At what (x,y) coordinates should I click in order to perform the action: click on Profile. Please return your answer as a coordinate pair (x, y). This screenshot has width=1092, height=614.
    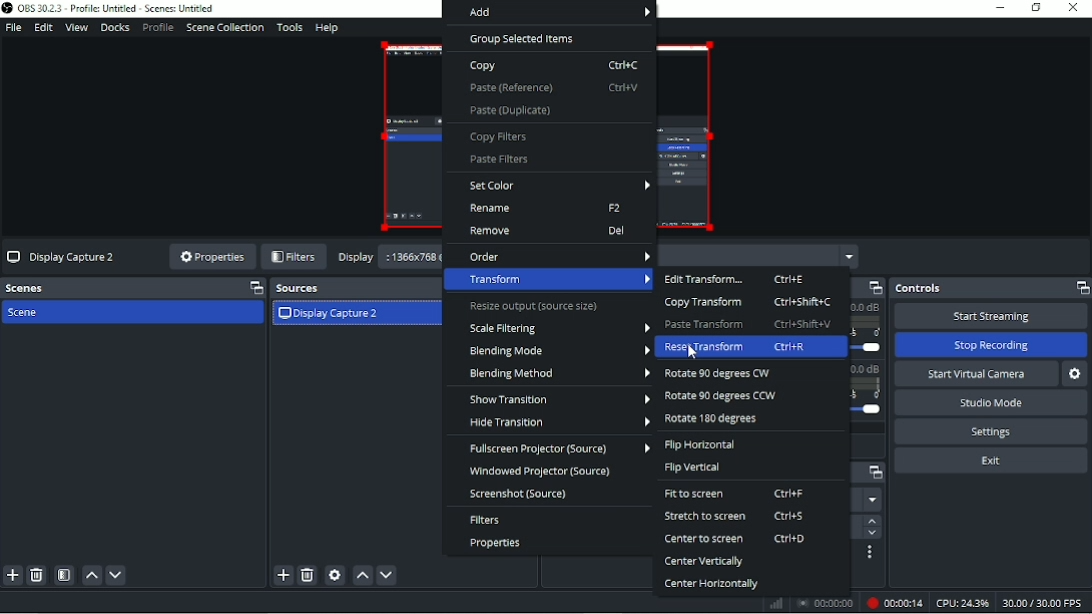
    Looking at the image, I should click on (157, 28).